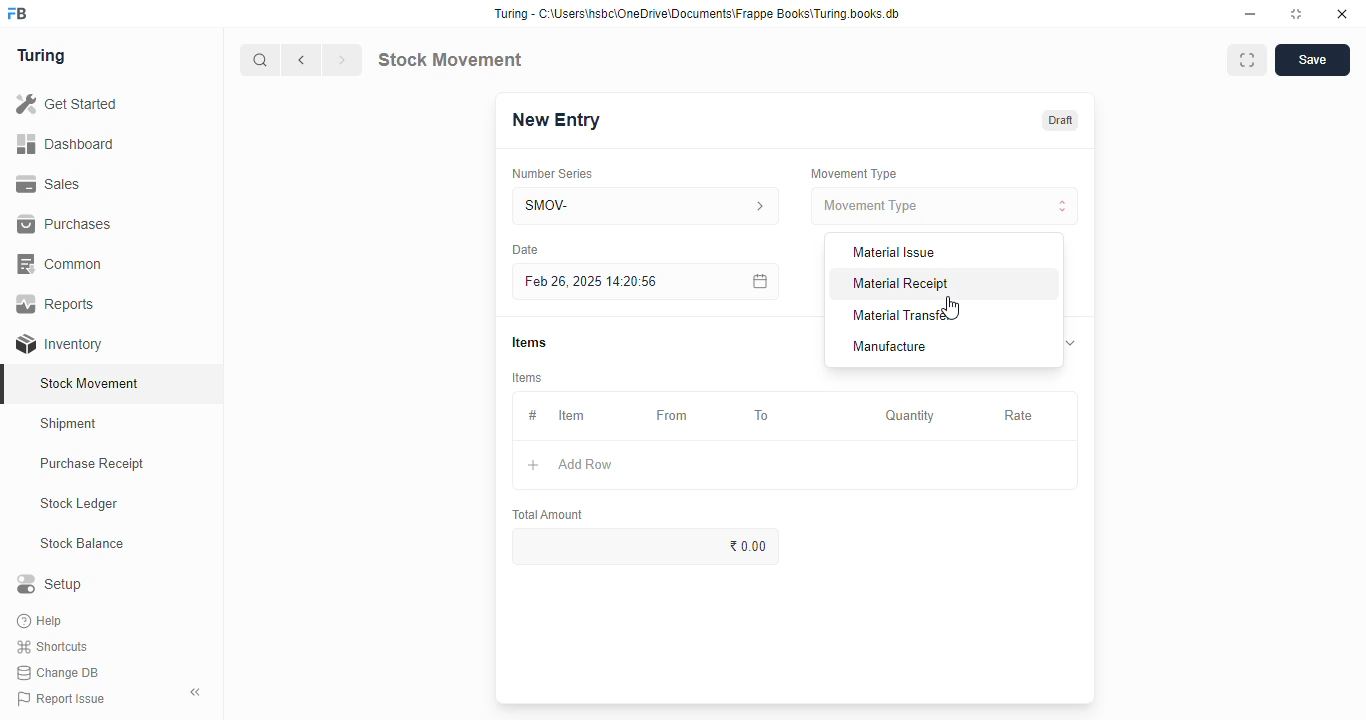 The height and width of the screenshot is (720, 1366). I want to click on previous, so click(302, 60).